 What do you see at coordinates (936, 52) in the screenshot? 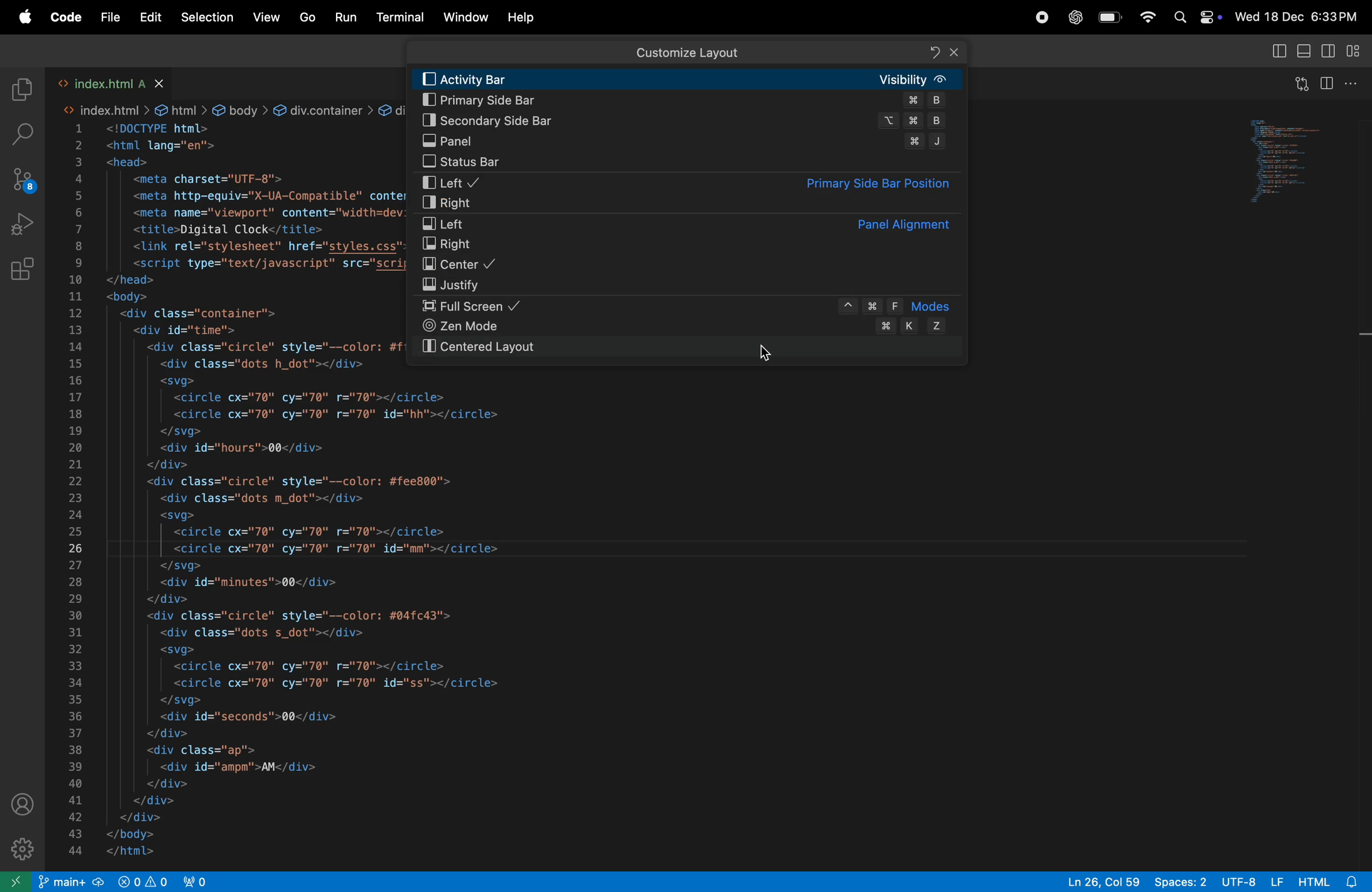
I see `Refresh` at bounding box center [936, 52].